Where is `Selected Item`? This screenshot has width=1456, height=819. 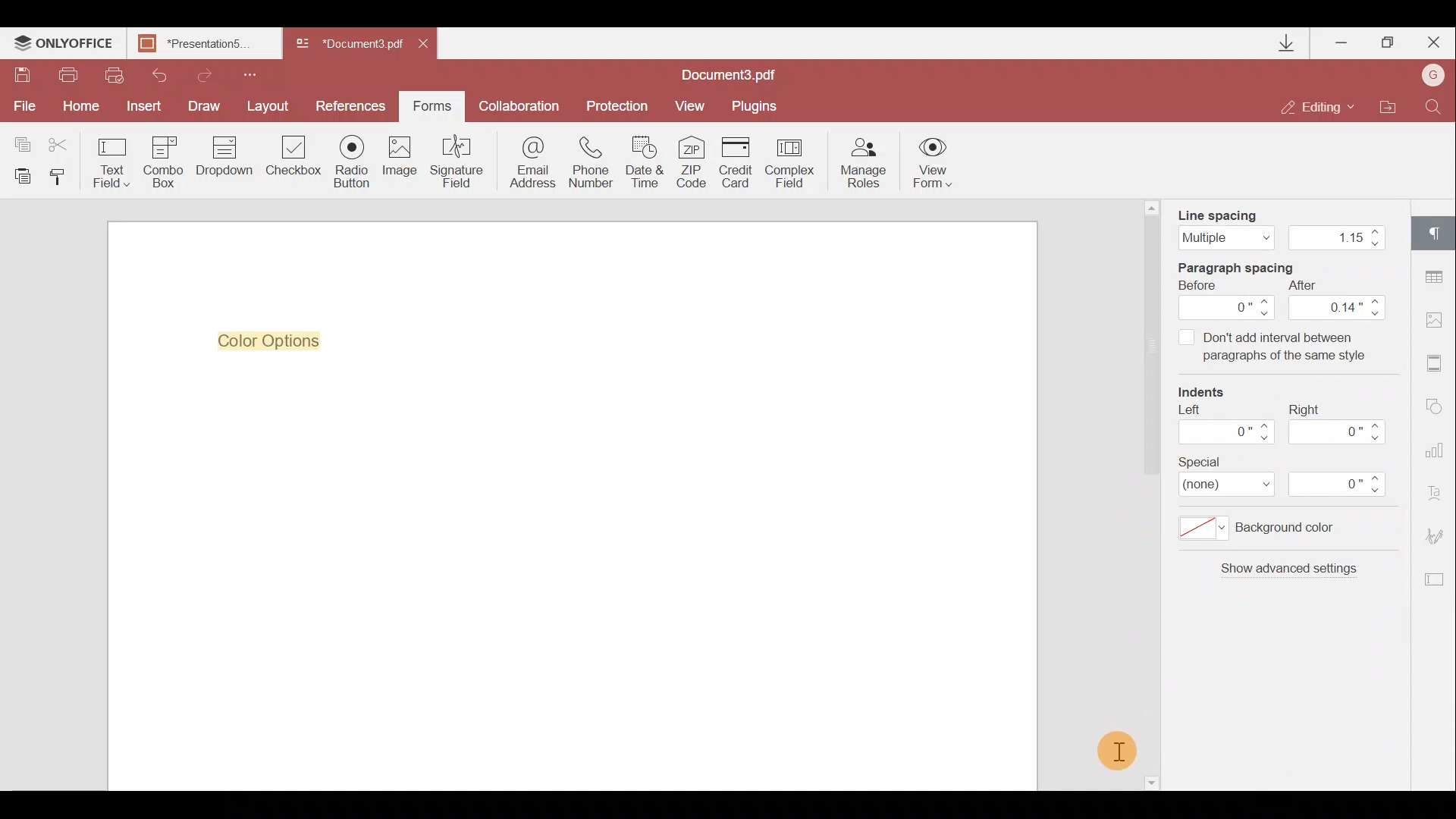 Selected Item is located at coordinates (277, 340).